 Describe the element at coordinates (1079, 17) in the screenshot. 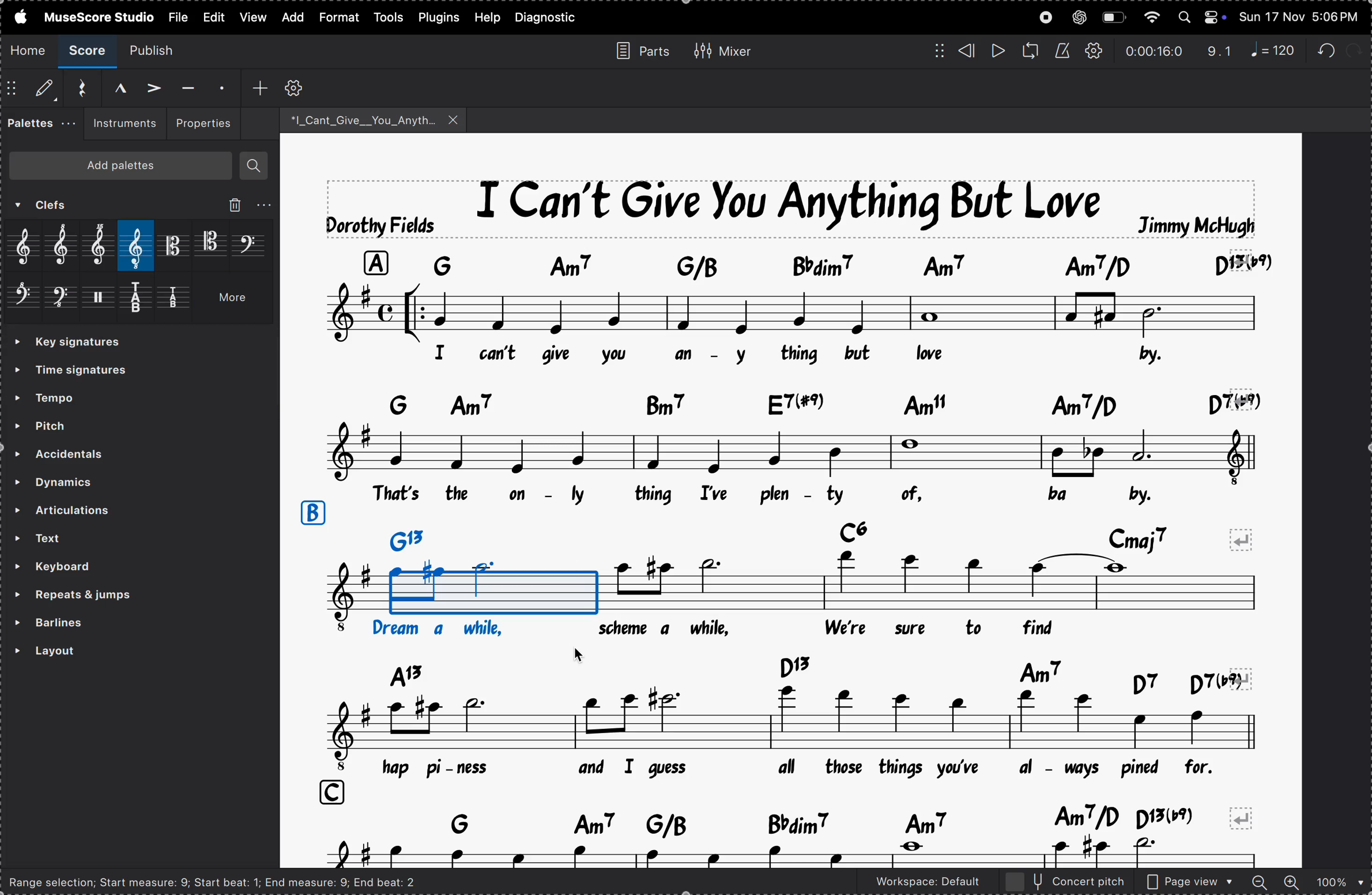

I see `chatgpt` at that location.